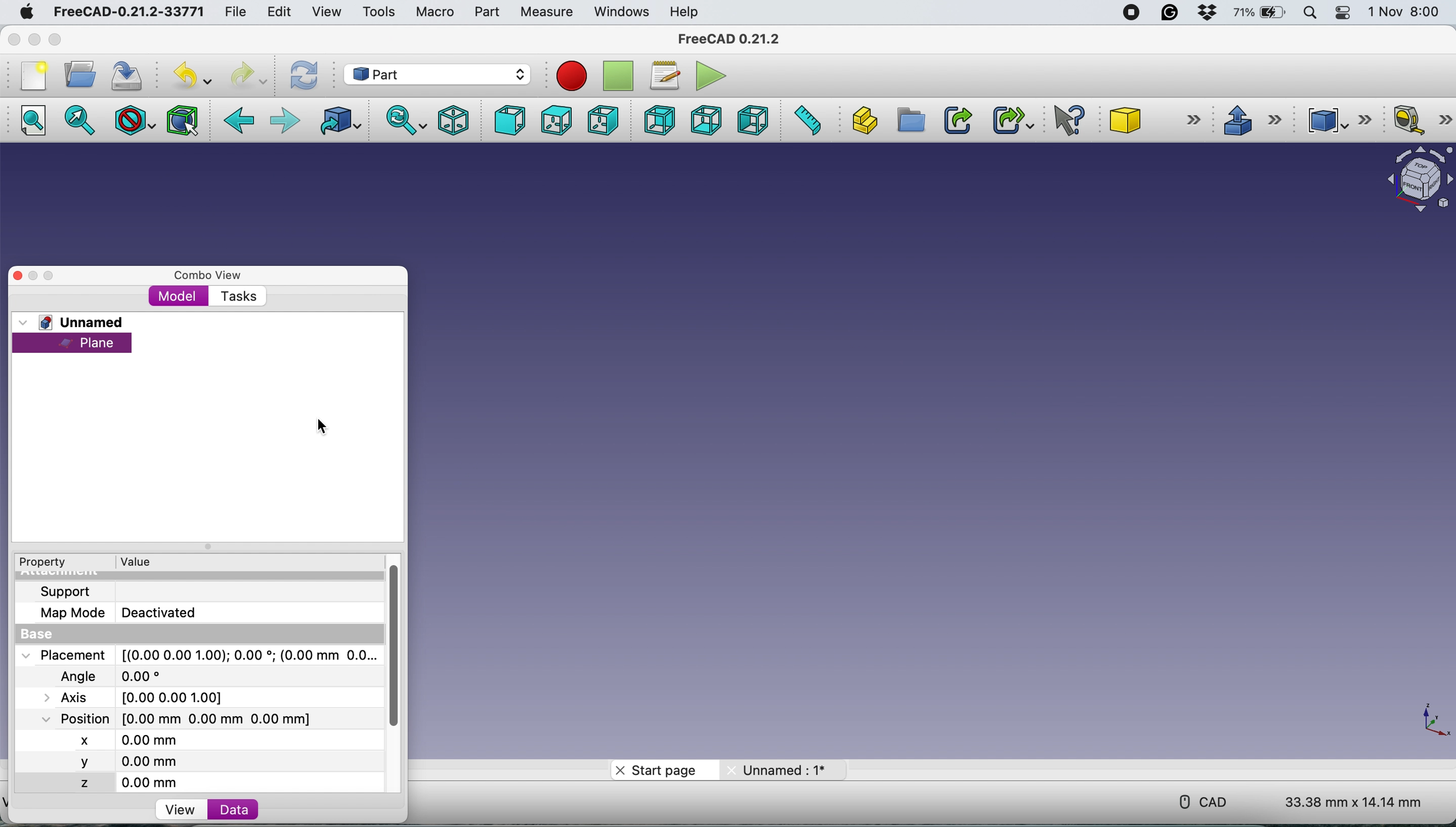  Describe the element at coordinates (1346, 14) in the screenshot. I see `control center` at that location.